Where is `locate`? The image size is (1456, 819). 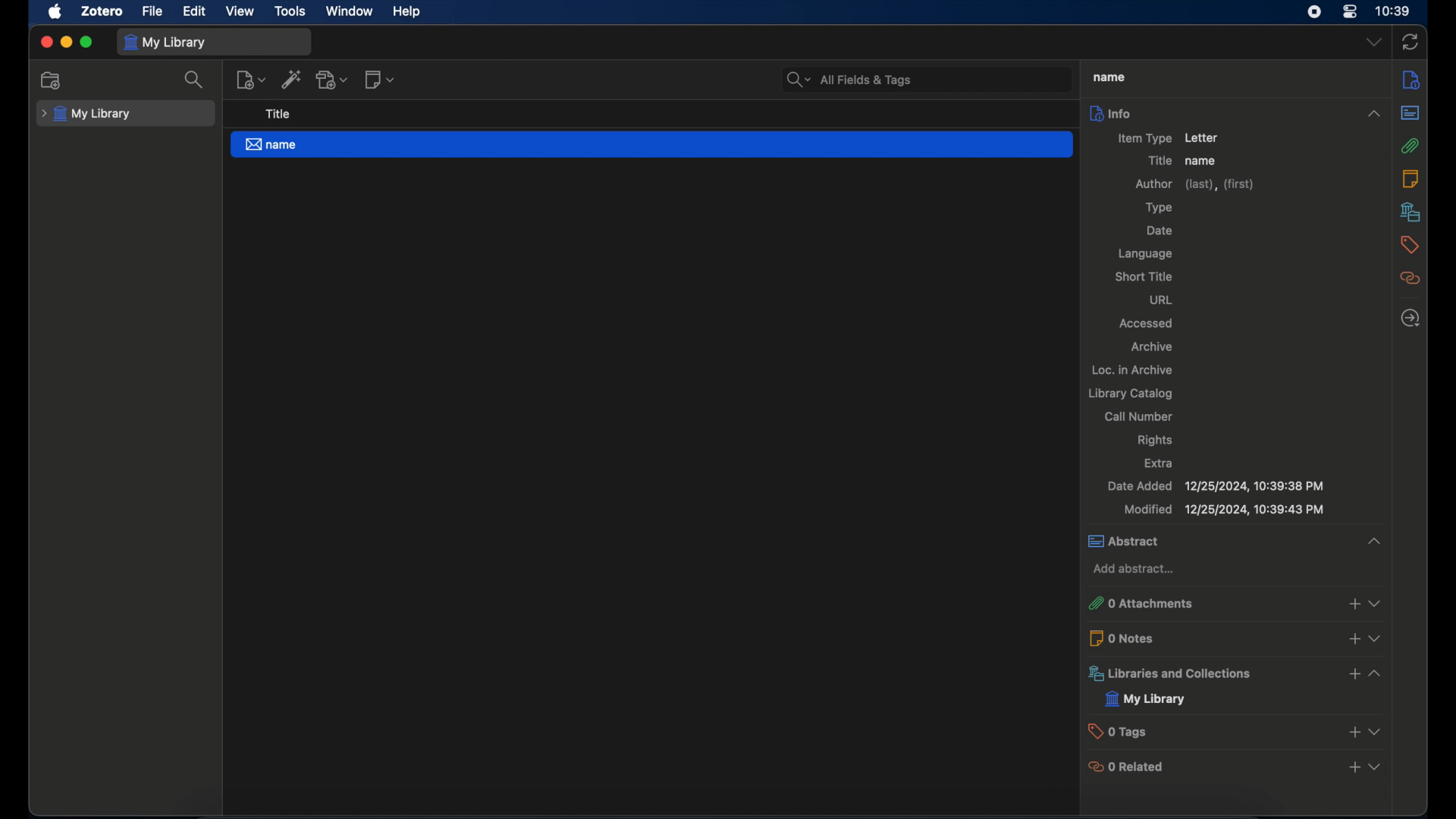 locate is located at coordinates (1410, 319).